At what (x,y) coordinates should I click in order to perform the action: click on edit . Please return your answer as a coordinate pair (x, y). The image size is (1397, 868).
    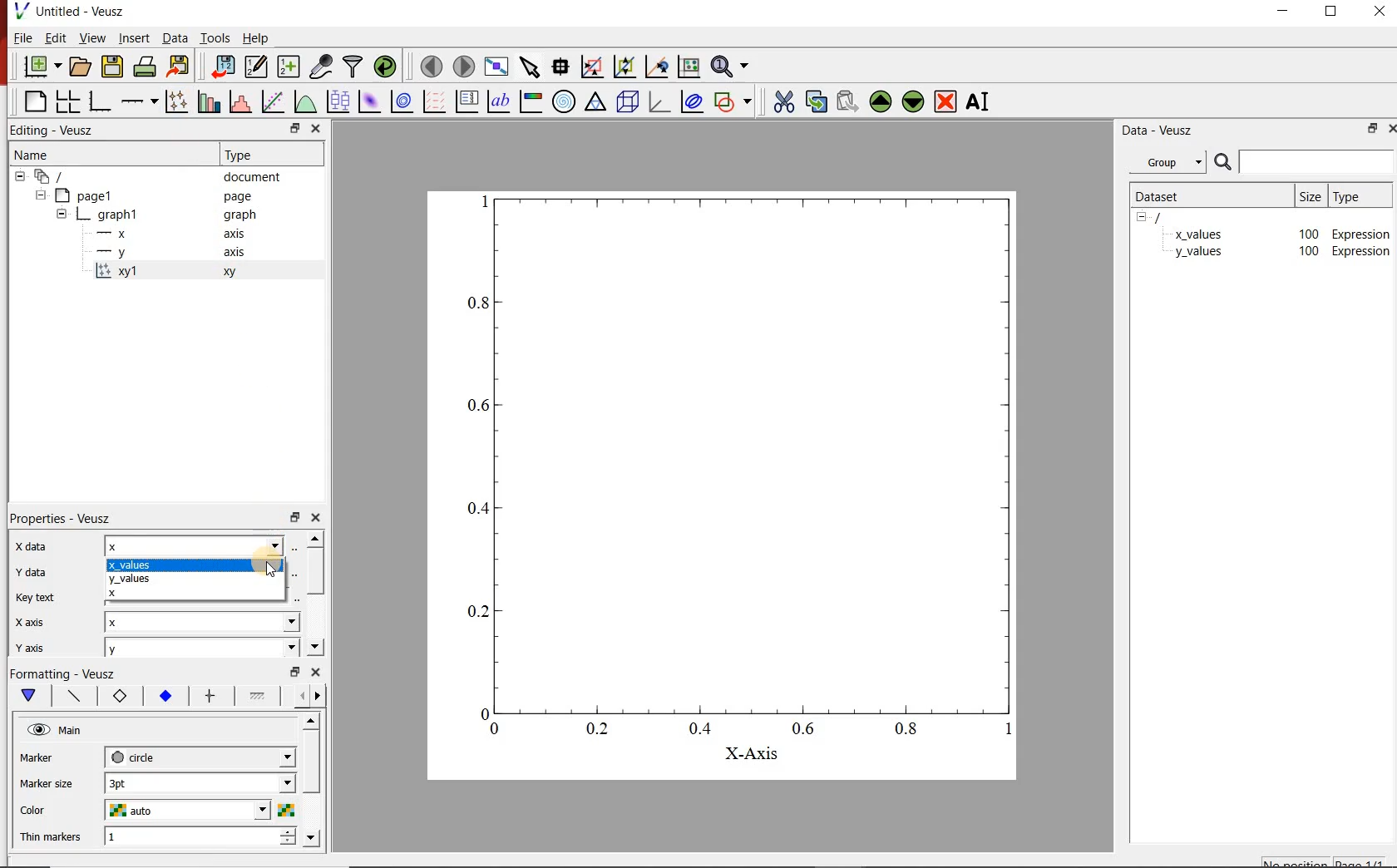
    Looking at the image, I should click on (57, 37).